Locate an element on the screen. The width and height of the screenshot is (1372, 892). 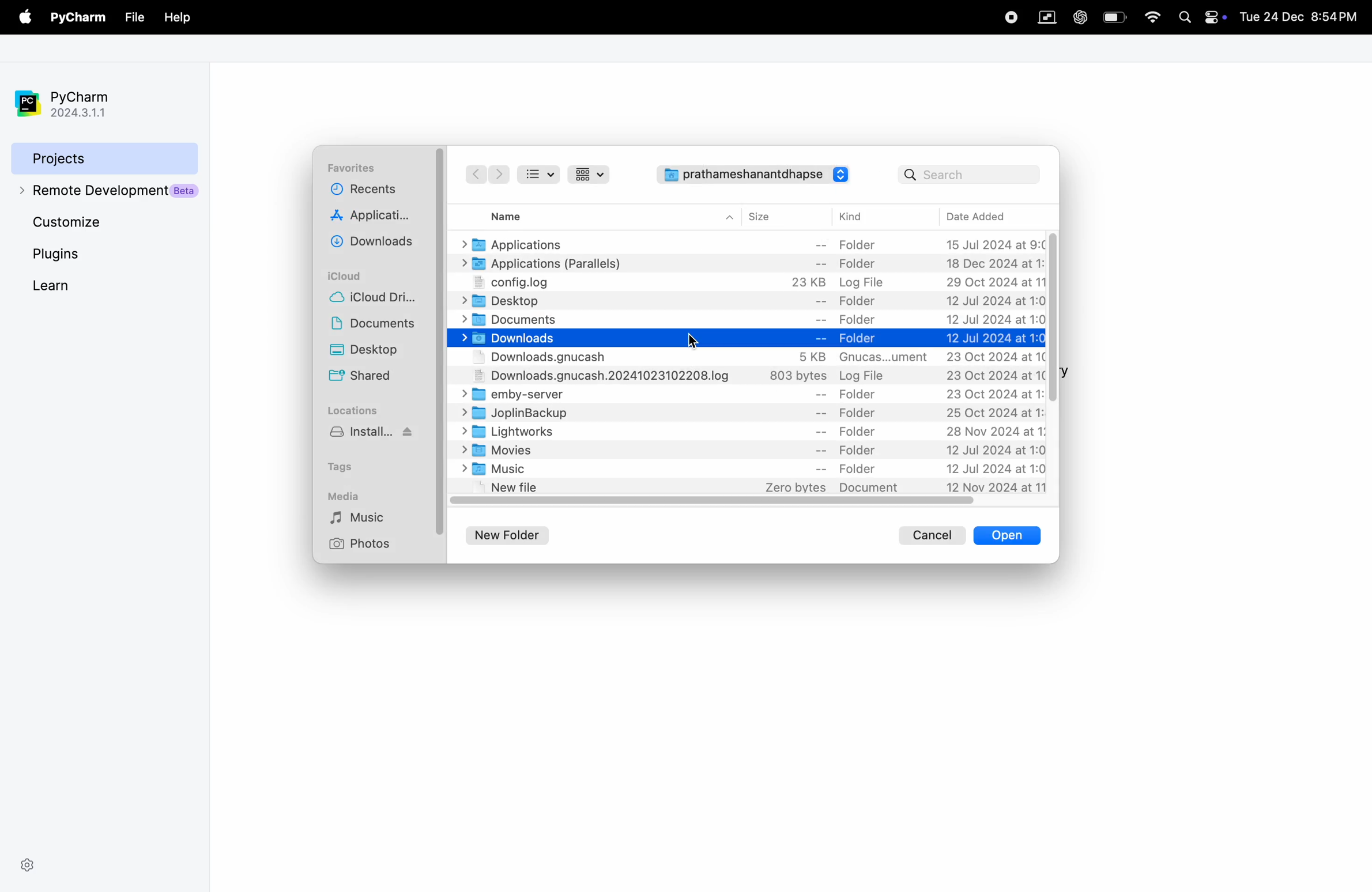
locations is located at coordinates (355, 410).